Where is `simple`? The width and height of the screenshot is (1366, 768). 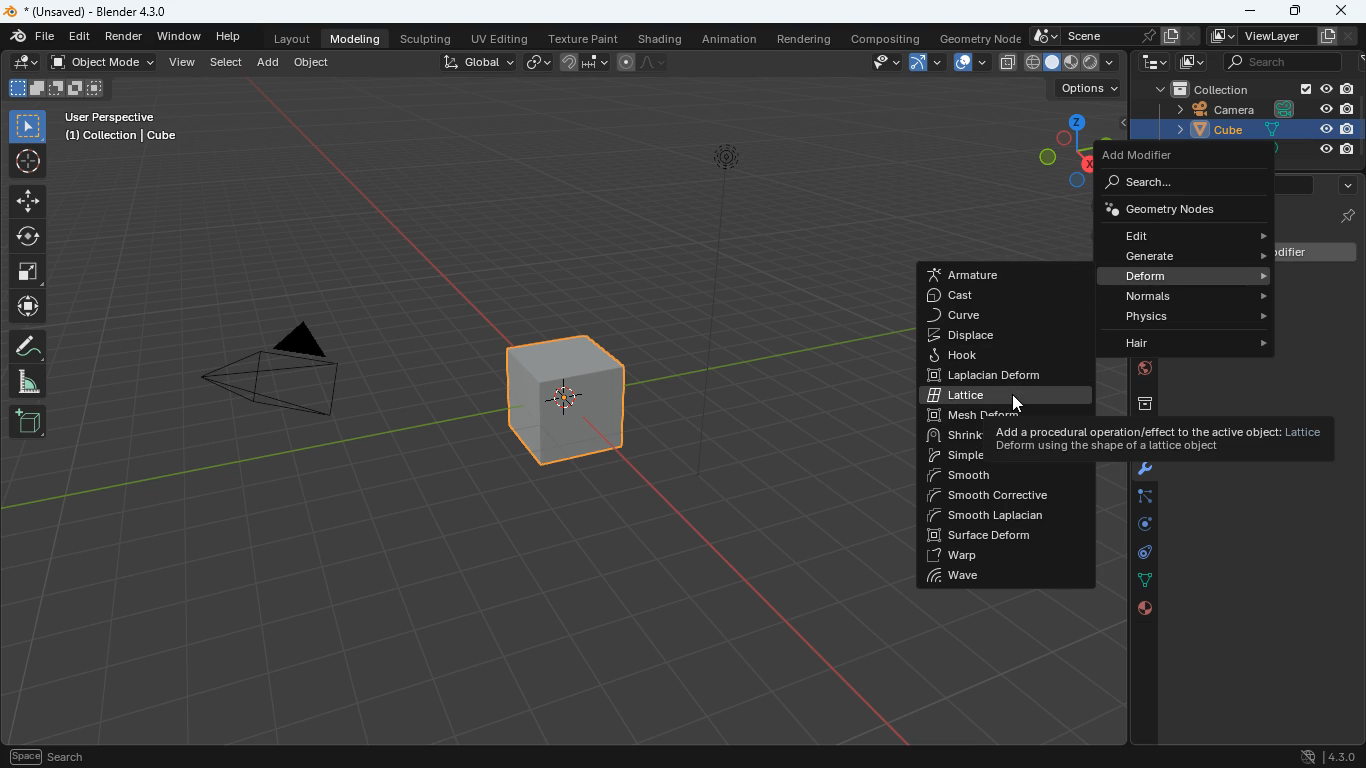
simple is located at coordinates (954, 458).